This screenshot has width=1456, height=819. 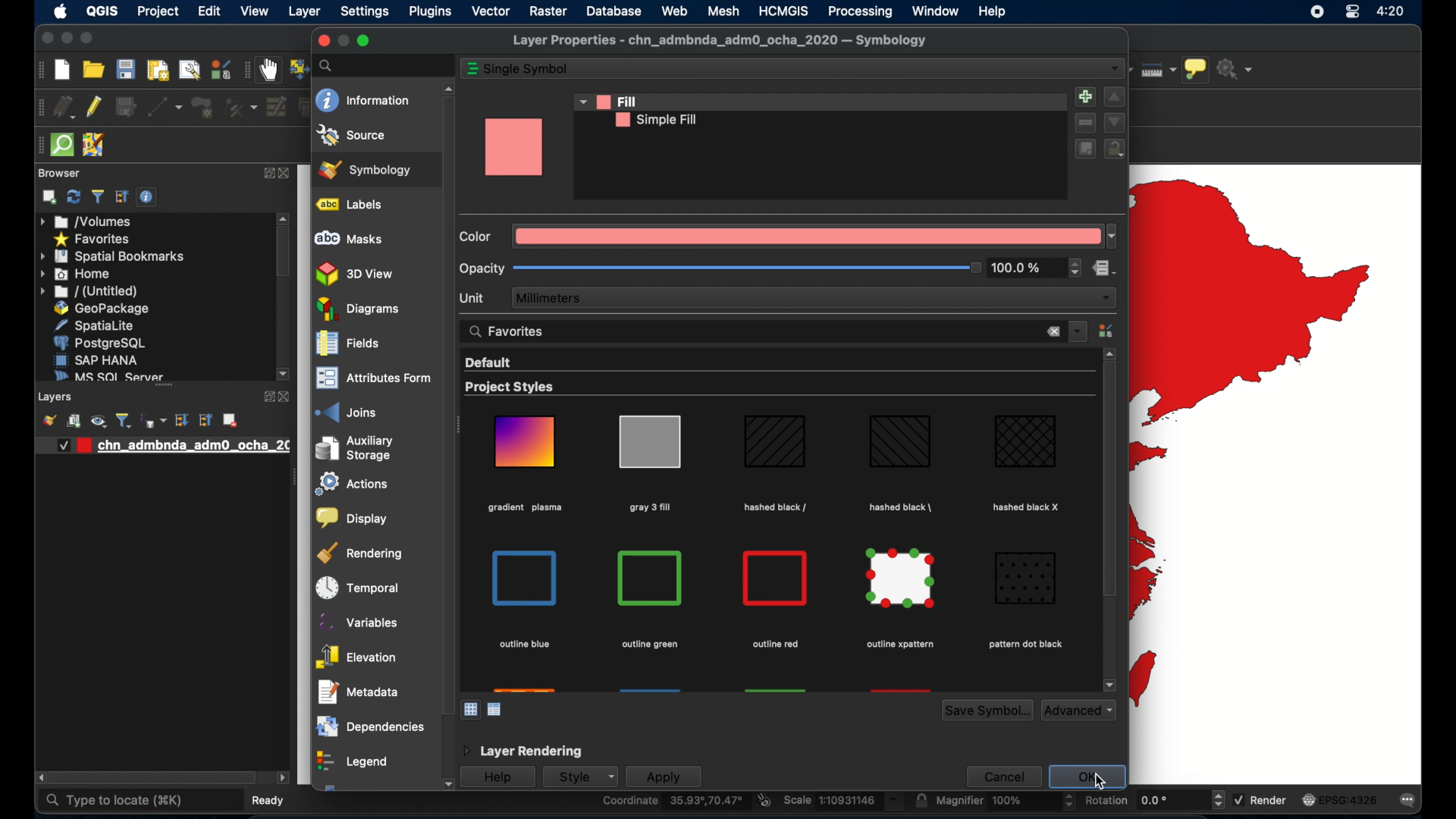 What do you see at coordinates (268, 174) in the screenshot?
I see `expand` at bounding box center [268, 174].